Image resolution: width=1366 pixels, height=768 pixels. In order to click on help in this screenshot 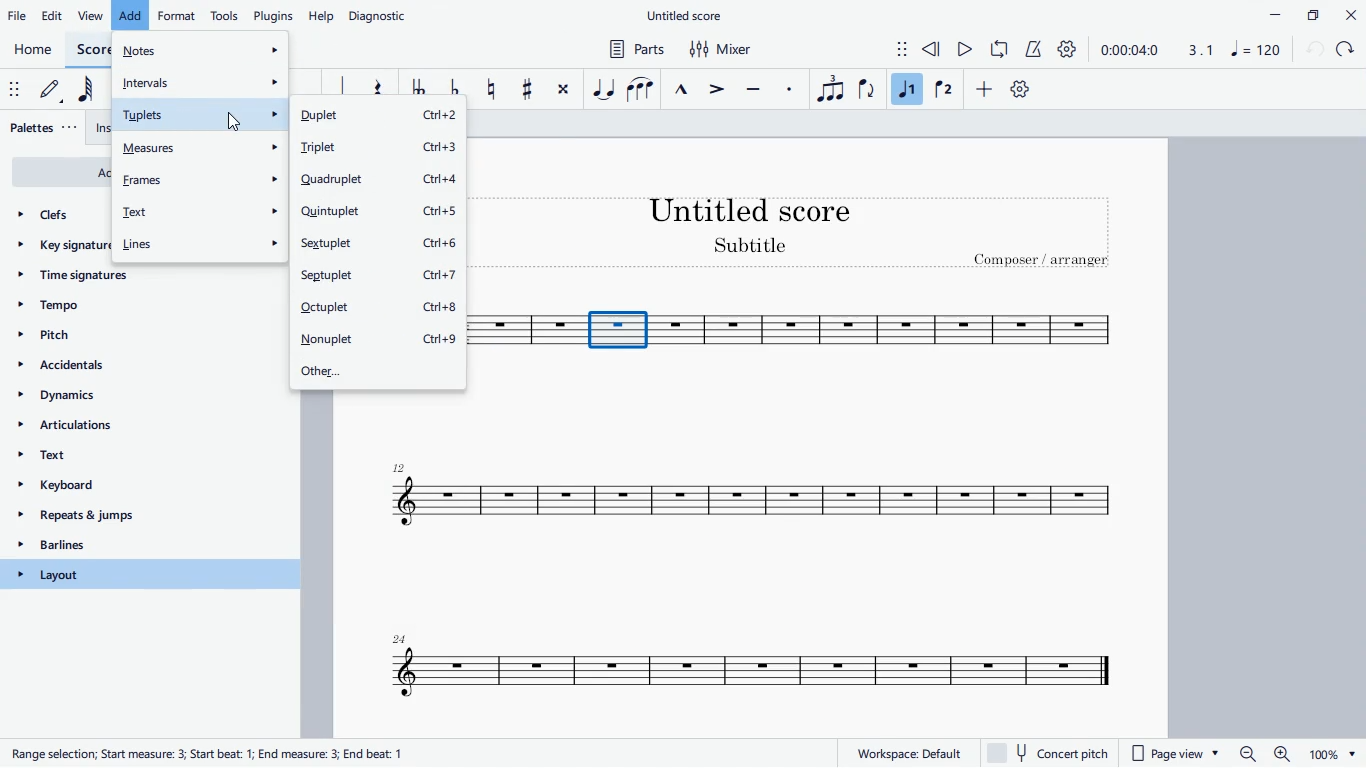, I will do `click(323, 15)`.